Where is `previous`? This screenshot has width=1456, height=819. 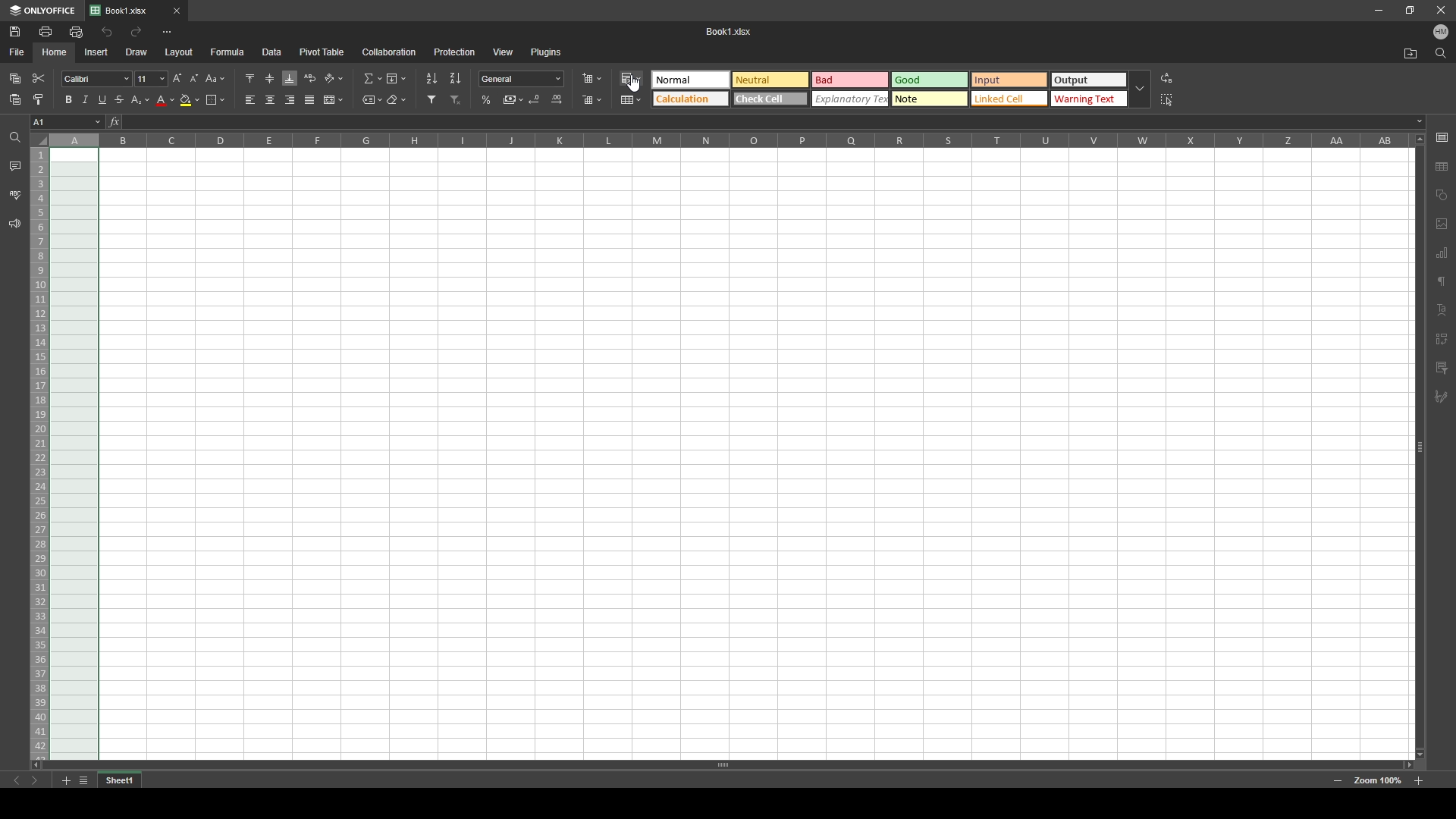 previous is located at coordinates (17, 781).